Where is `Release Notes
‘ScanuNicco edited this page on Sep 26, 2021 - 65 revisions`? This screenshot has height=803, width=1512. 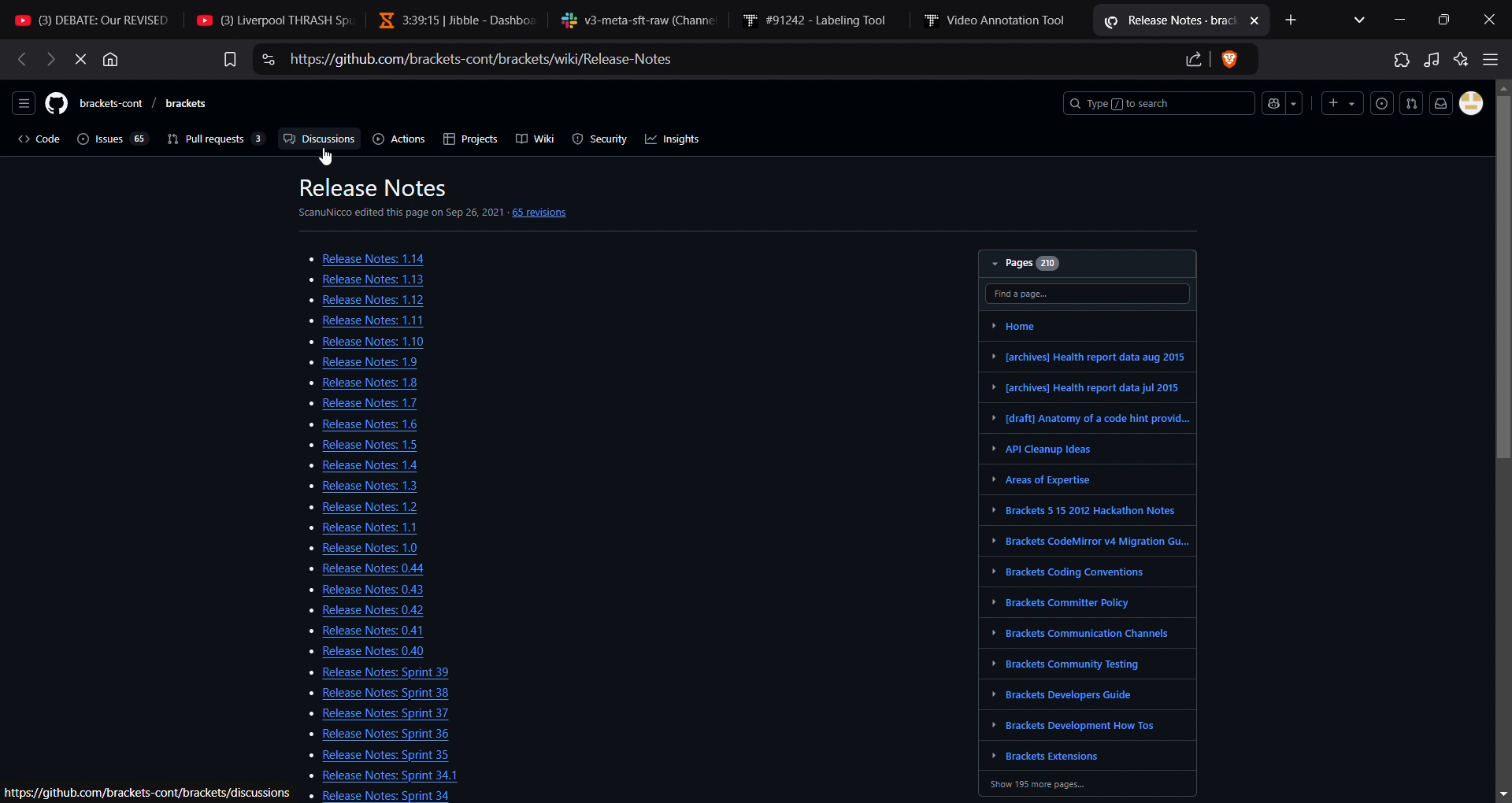 Release Notes
‘ScanuNicco edited this page on Sep 26, 2021 - 65 revisions is located at coordinates (458, 200).